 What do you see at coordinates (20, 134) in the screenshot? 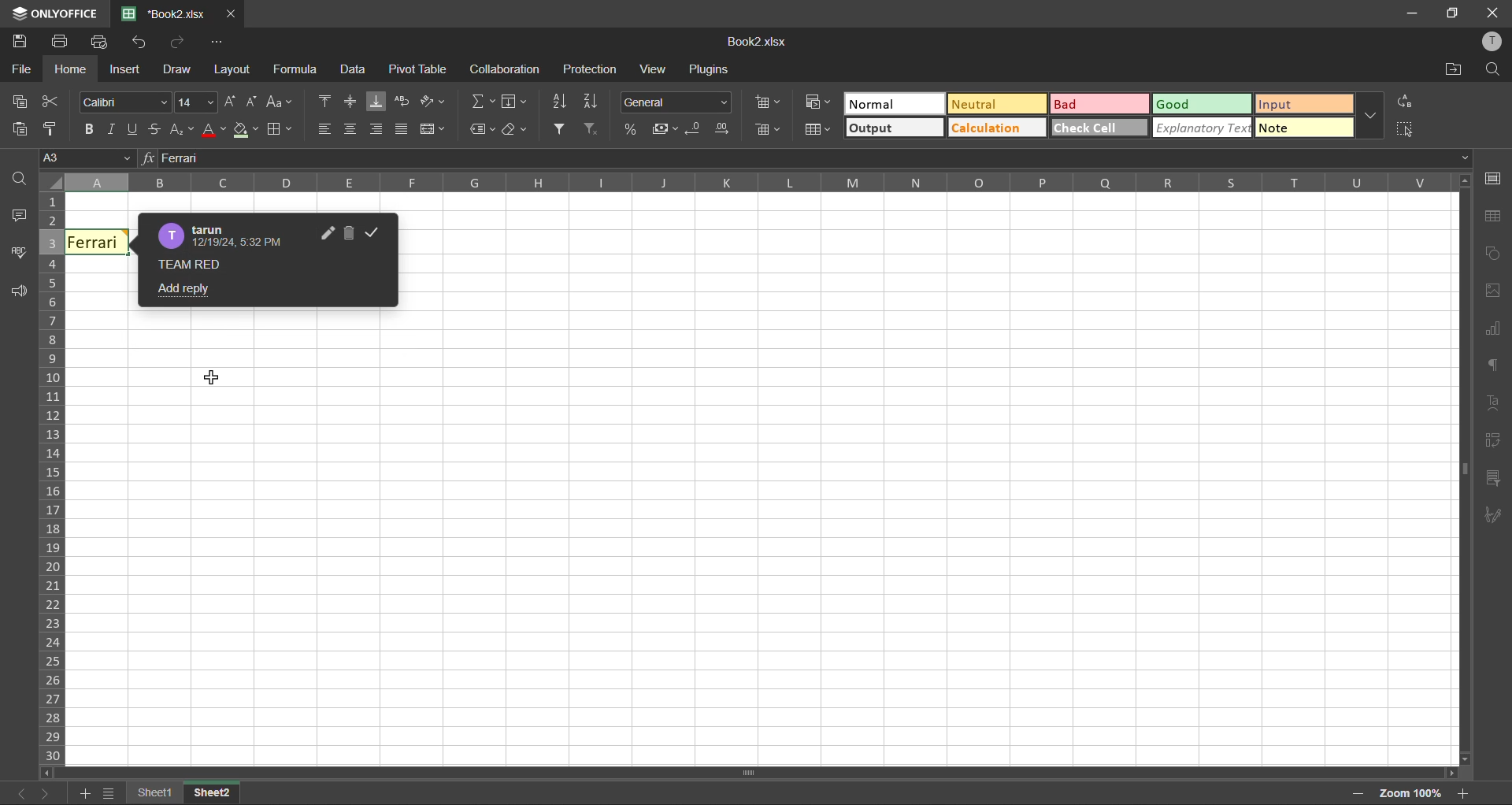
I see `paste` at bounding box center [20, 134].